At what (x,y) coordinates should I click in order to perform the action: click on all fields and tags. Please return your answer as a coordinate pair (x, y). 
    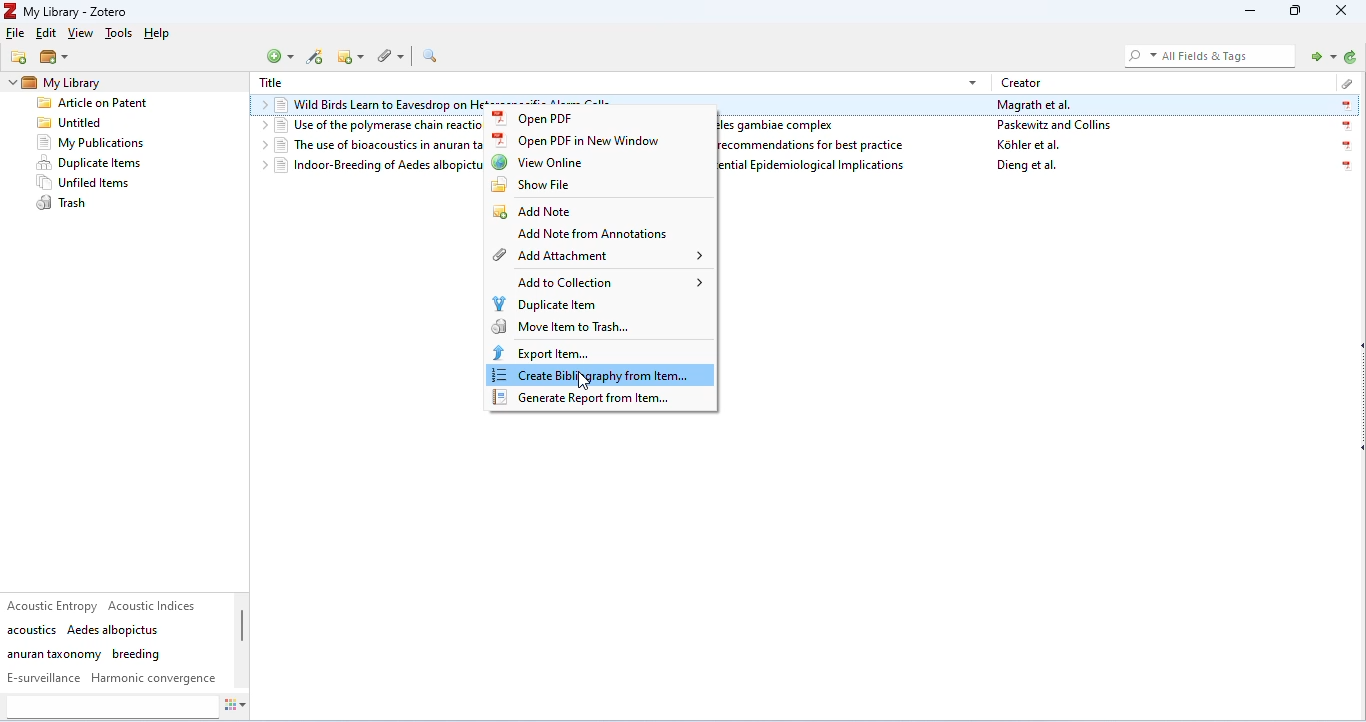
    Looking at the image, I should click on (1207, 55).